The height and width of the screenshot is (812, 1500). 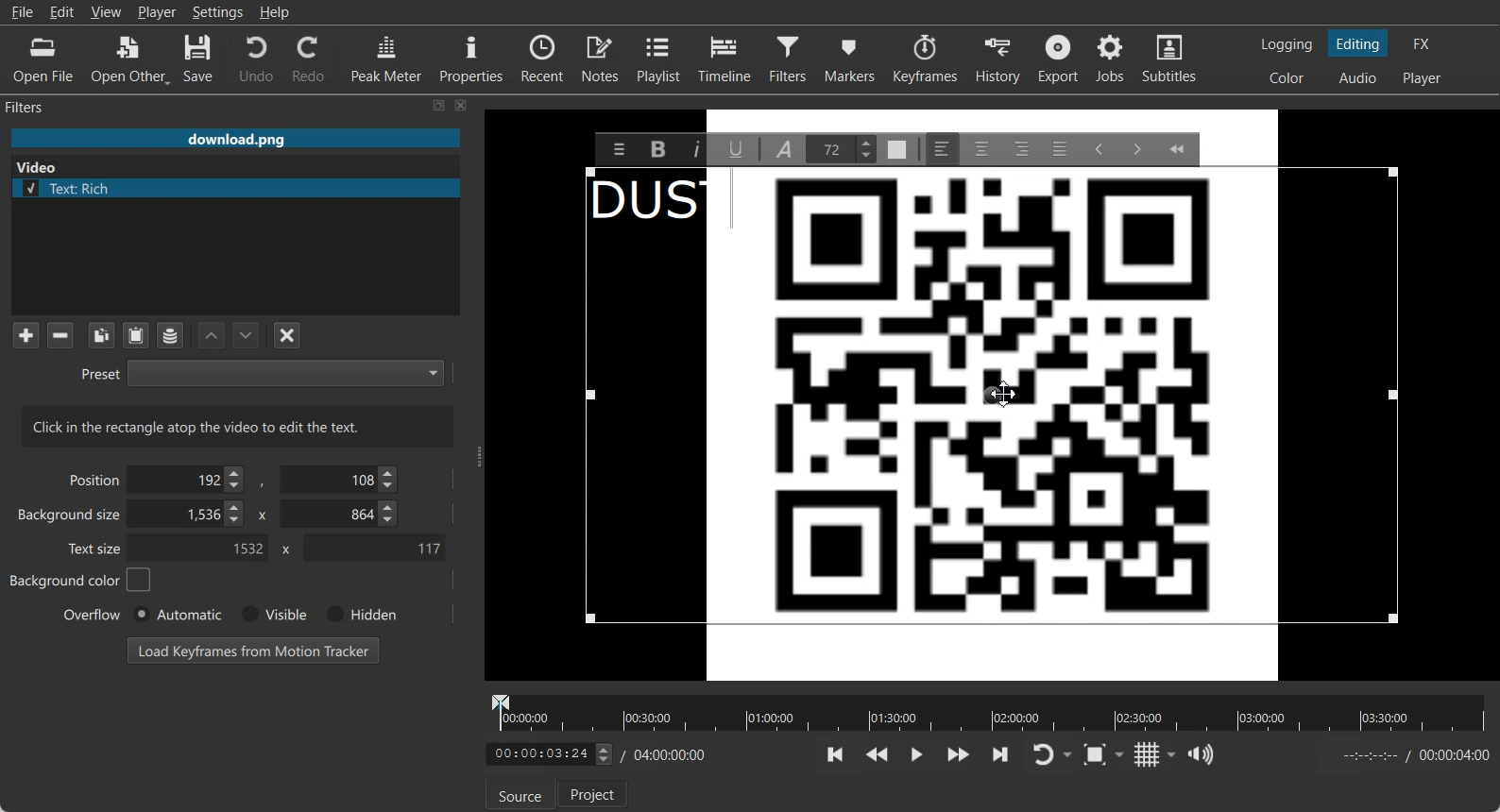 What do you see at coordinates (358, 614) in the screenshot?
I see `Hidden` at bounding box center [358, 614].